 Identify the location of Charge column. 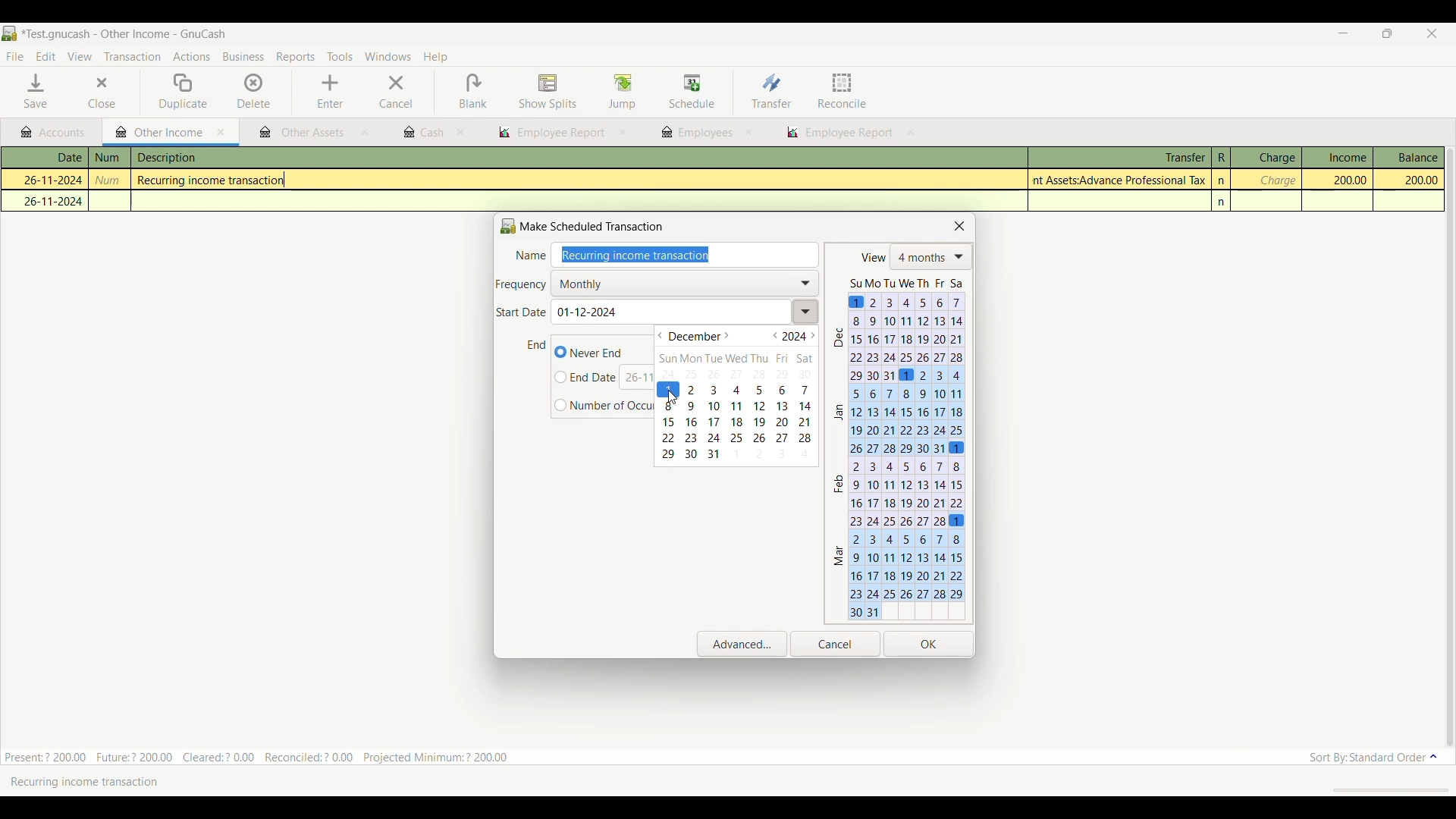
(1266, 158).